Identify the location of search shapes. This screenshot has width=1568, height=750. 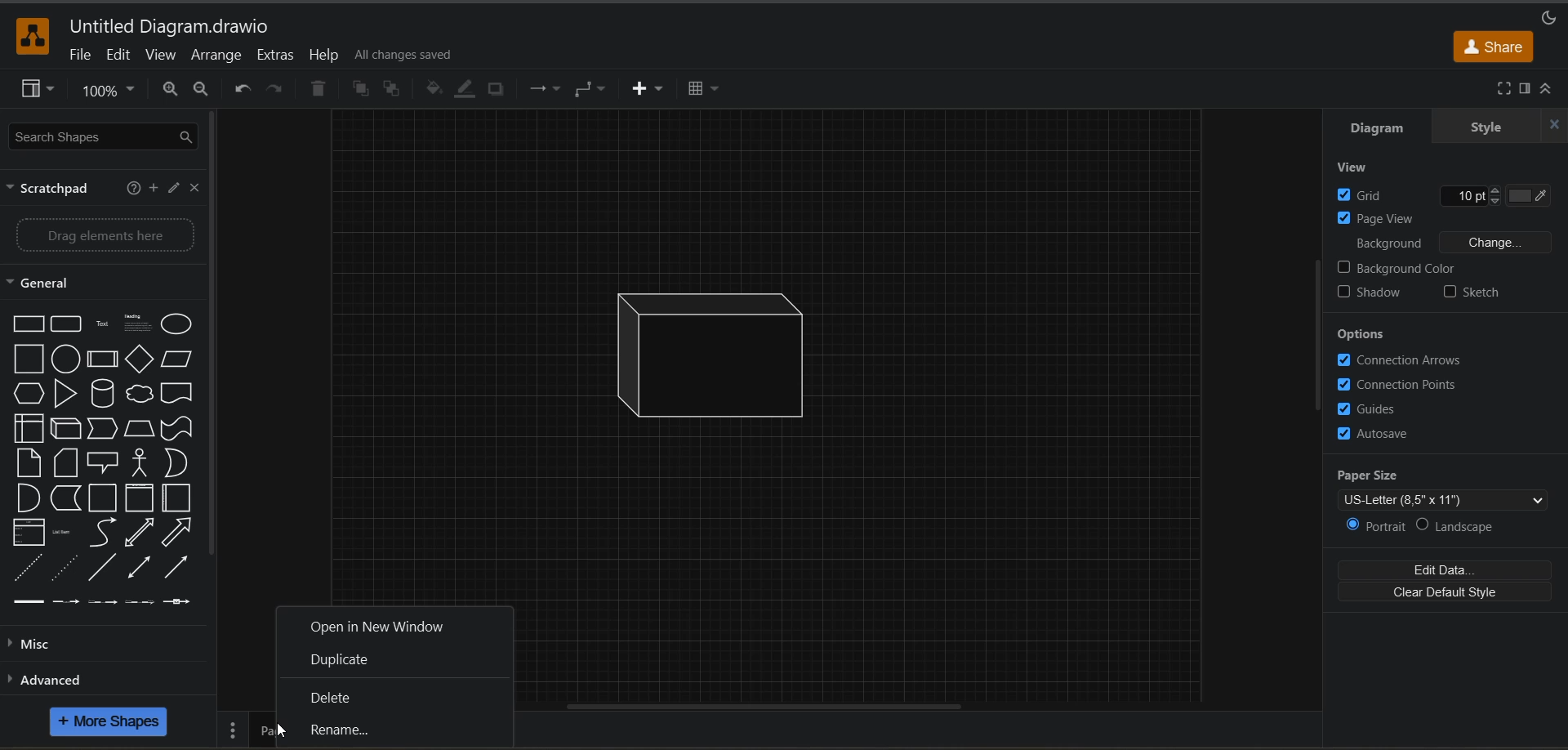
(107, 138).